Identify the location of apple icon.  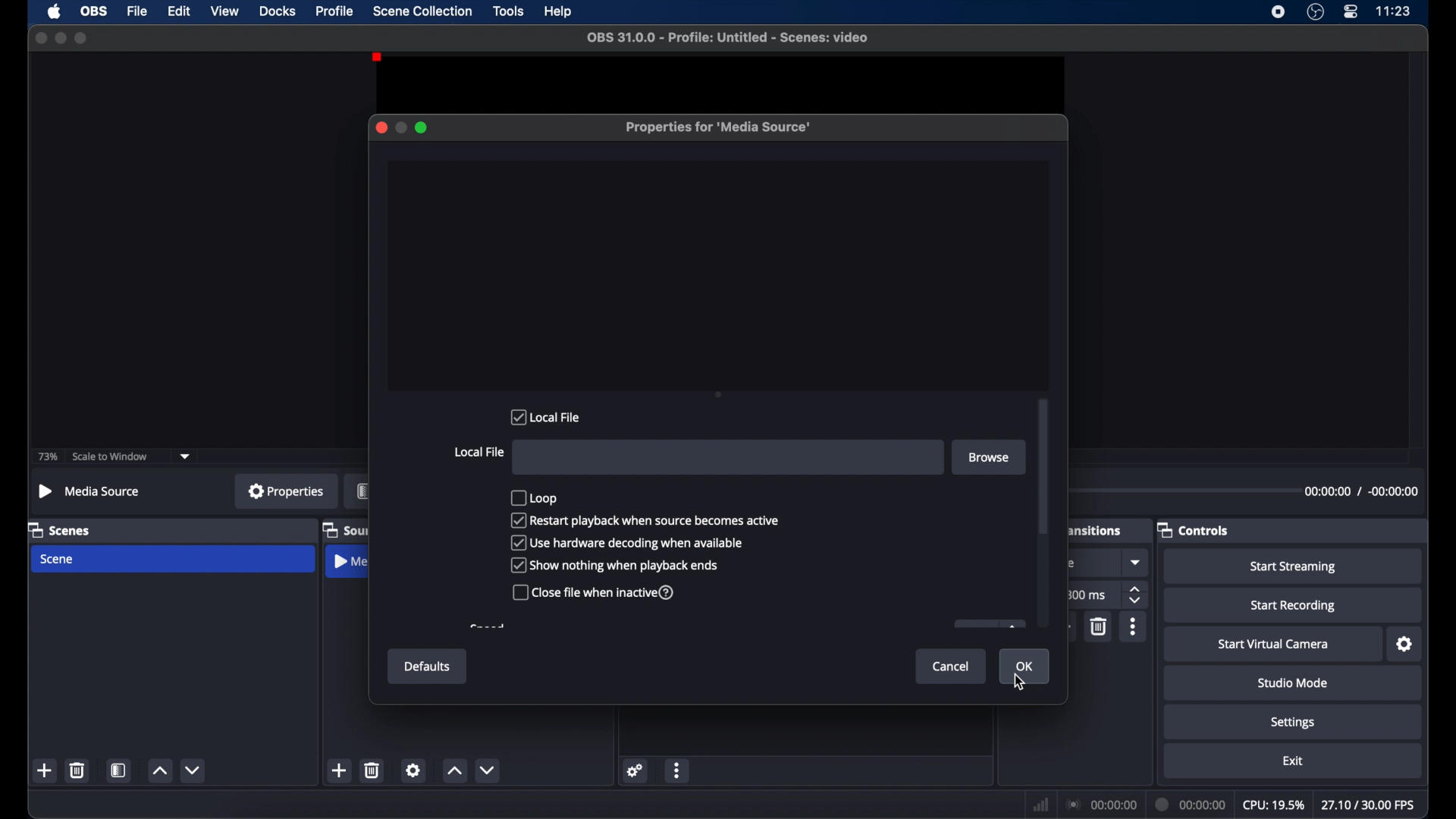
(55, 12).